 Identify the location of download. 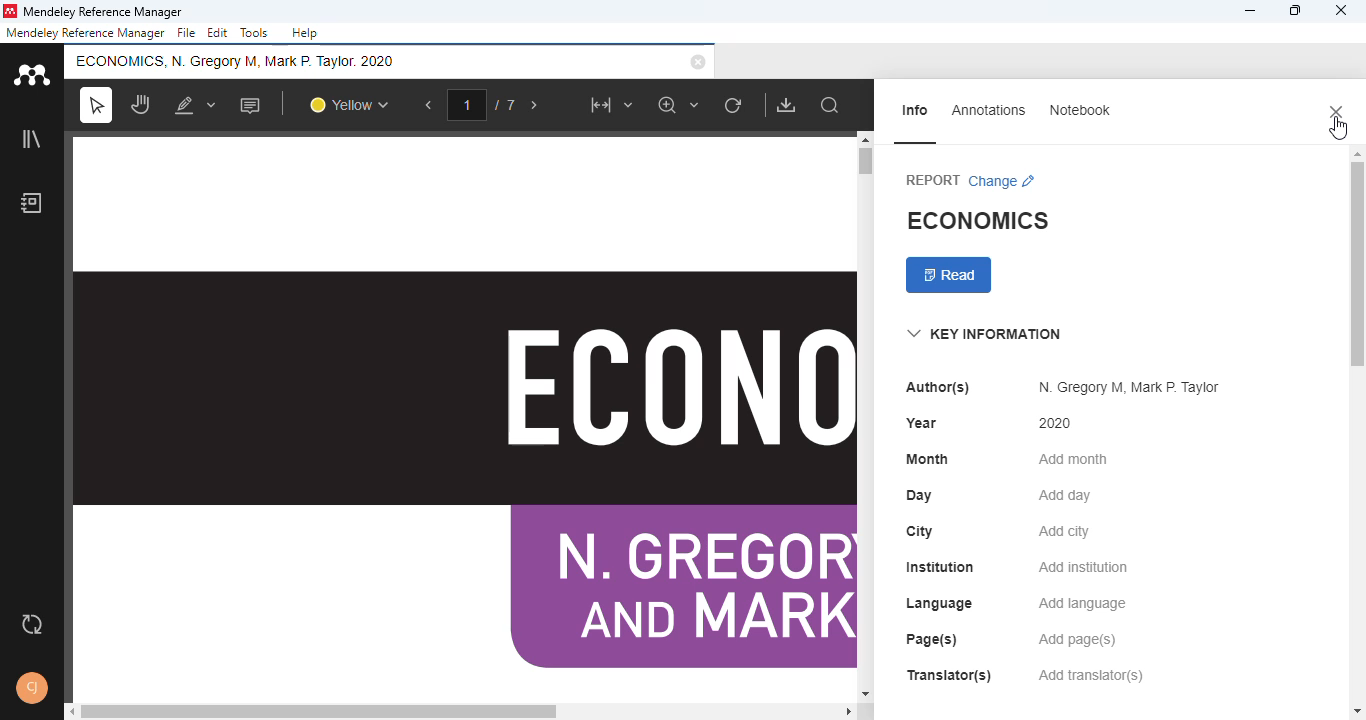
(786, 105).